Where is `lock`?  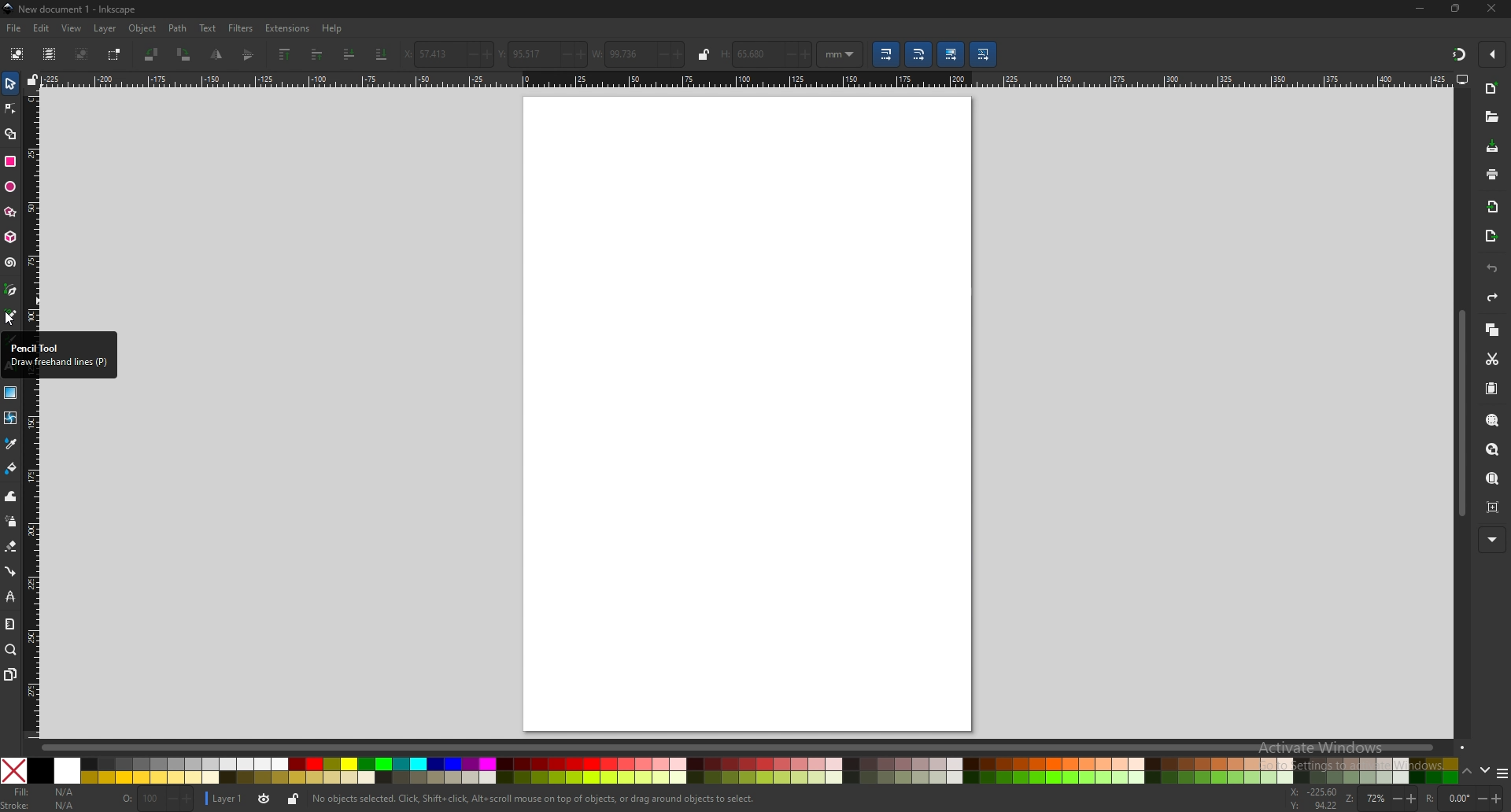 lock is located at coordinates (294, 799).